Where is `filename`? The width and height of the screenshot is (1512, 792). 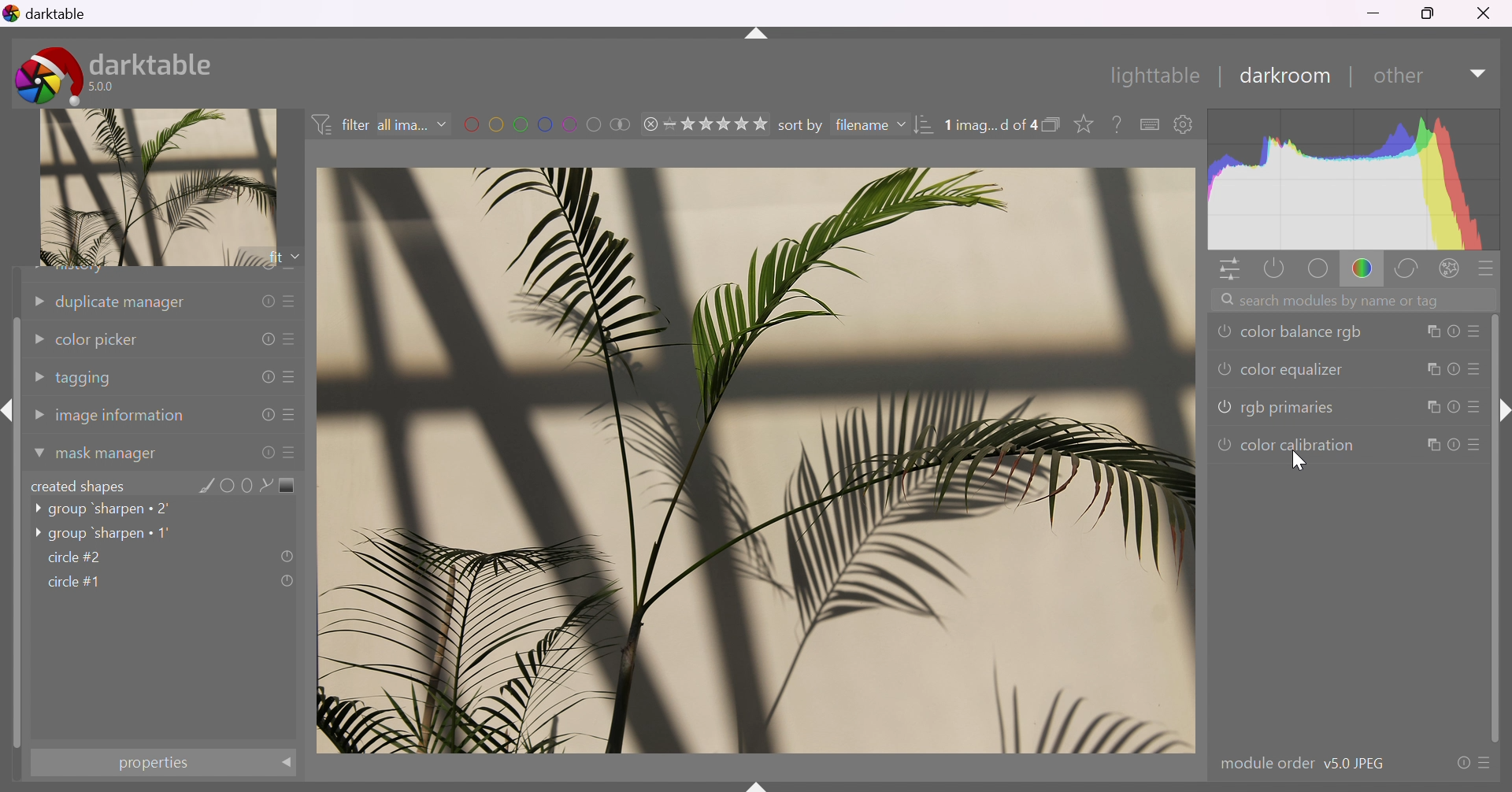
filename is located at coordinates (870, 125).